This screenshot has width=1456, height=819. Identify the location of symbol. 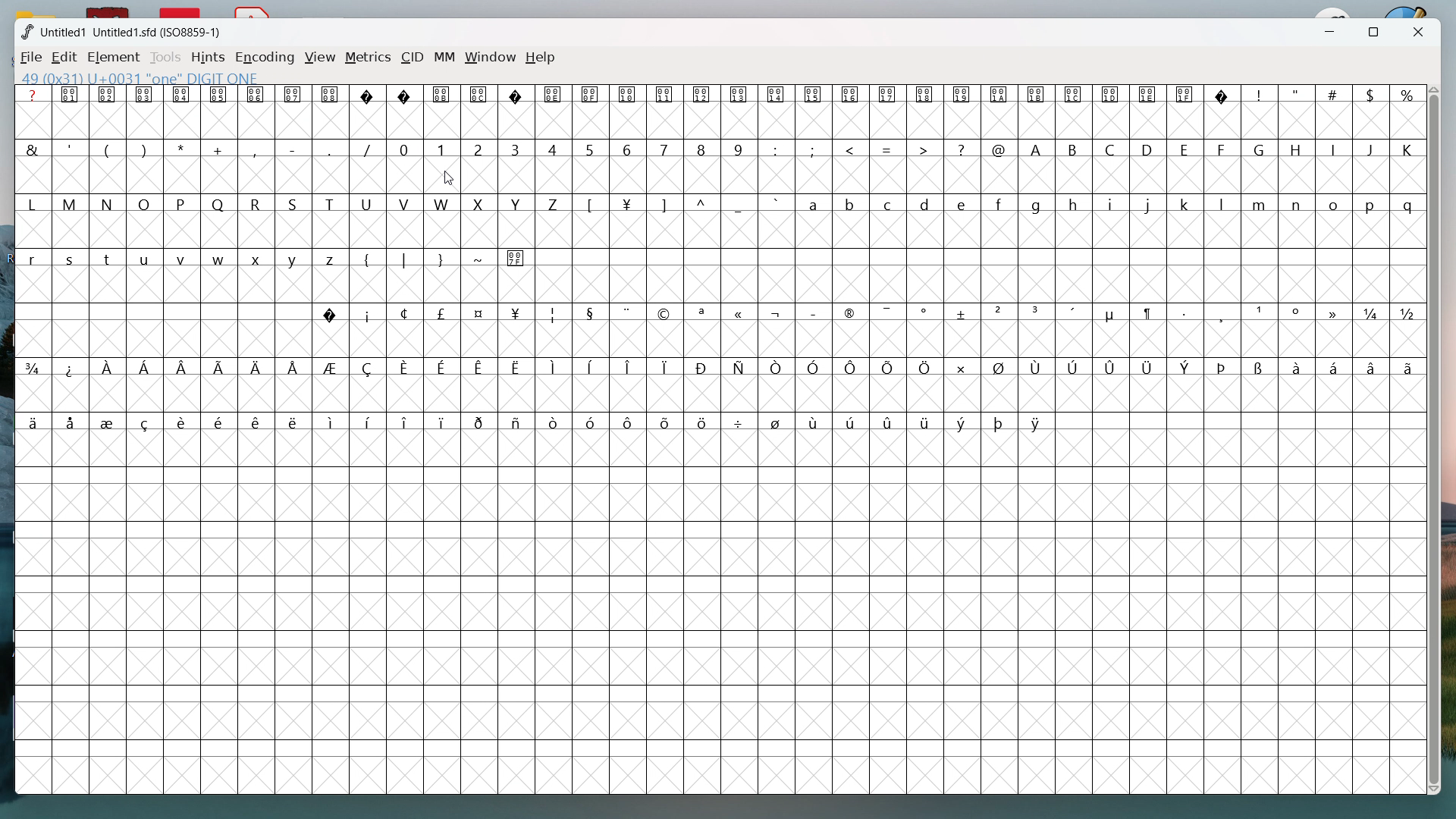
(1001, 422).